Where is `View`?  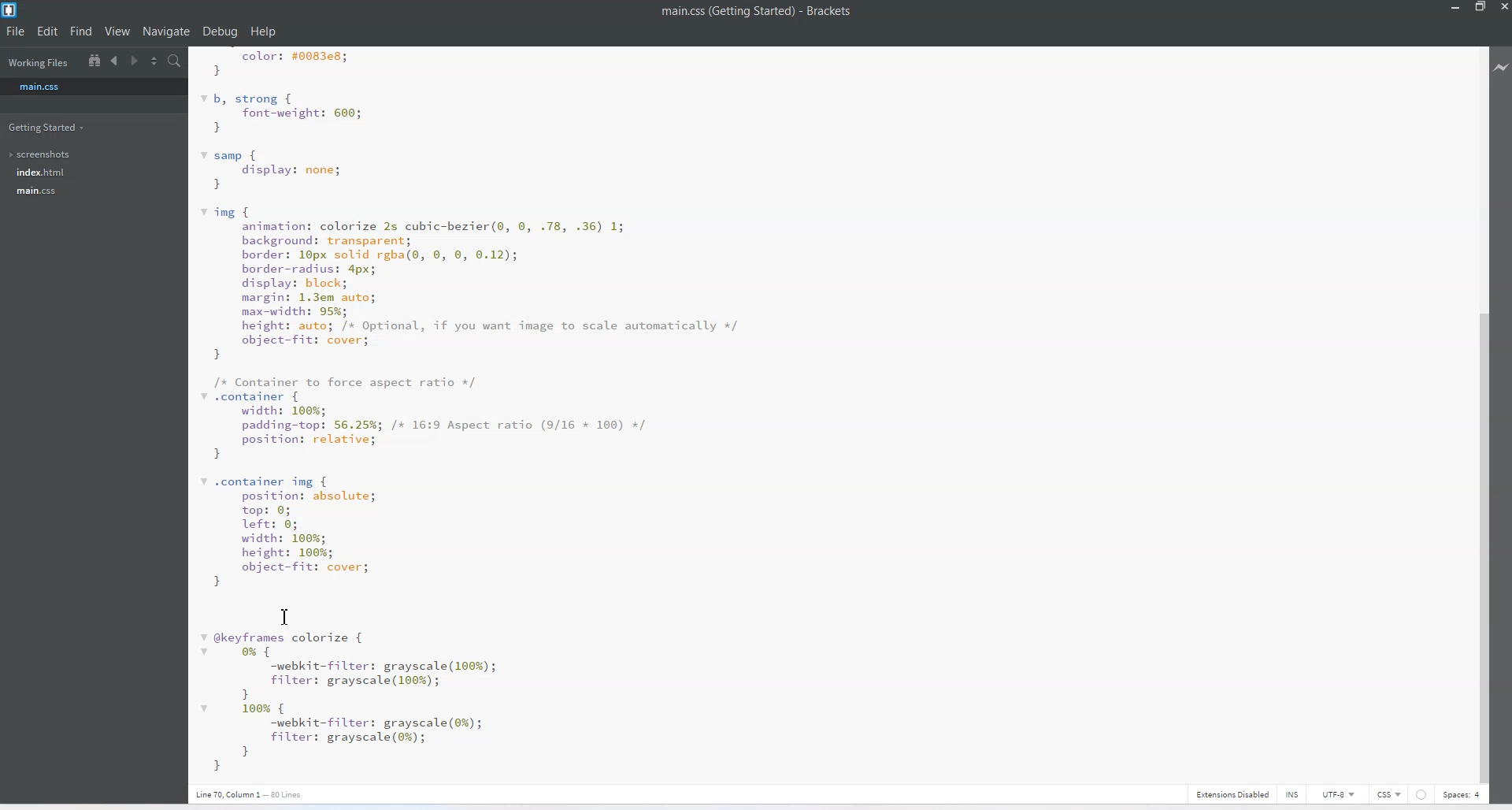 View is located at coordinates (118, 32).